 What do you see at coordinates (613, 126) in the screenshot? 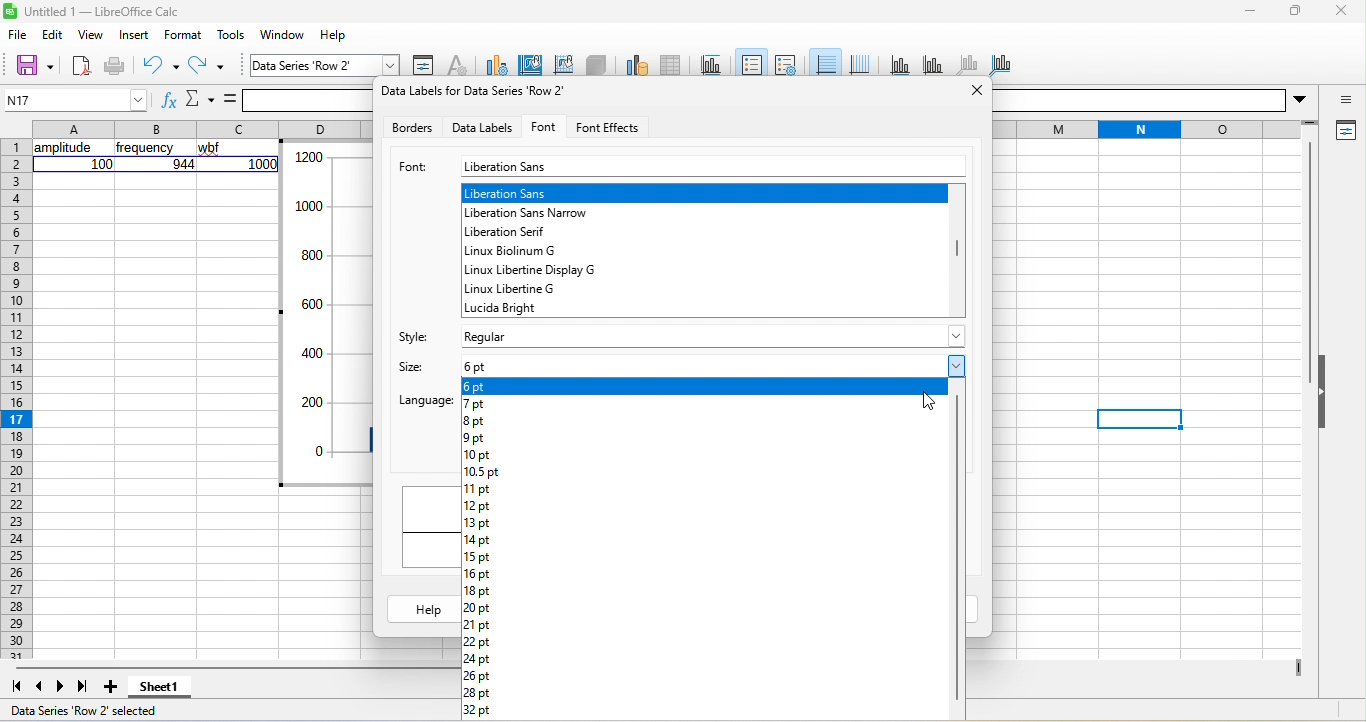
I see `font effects` at bounding box center [613, 126].